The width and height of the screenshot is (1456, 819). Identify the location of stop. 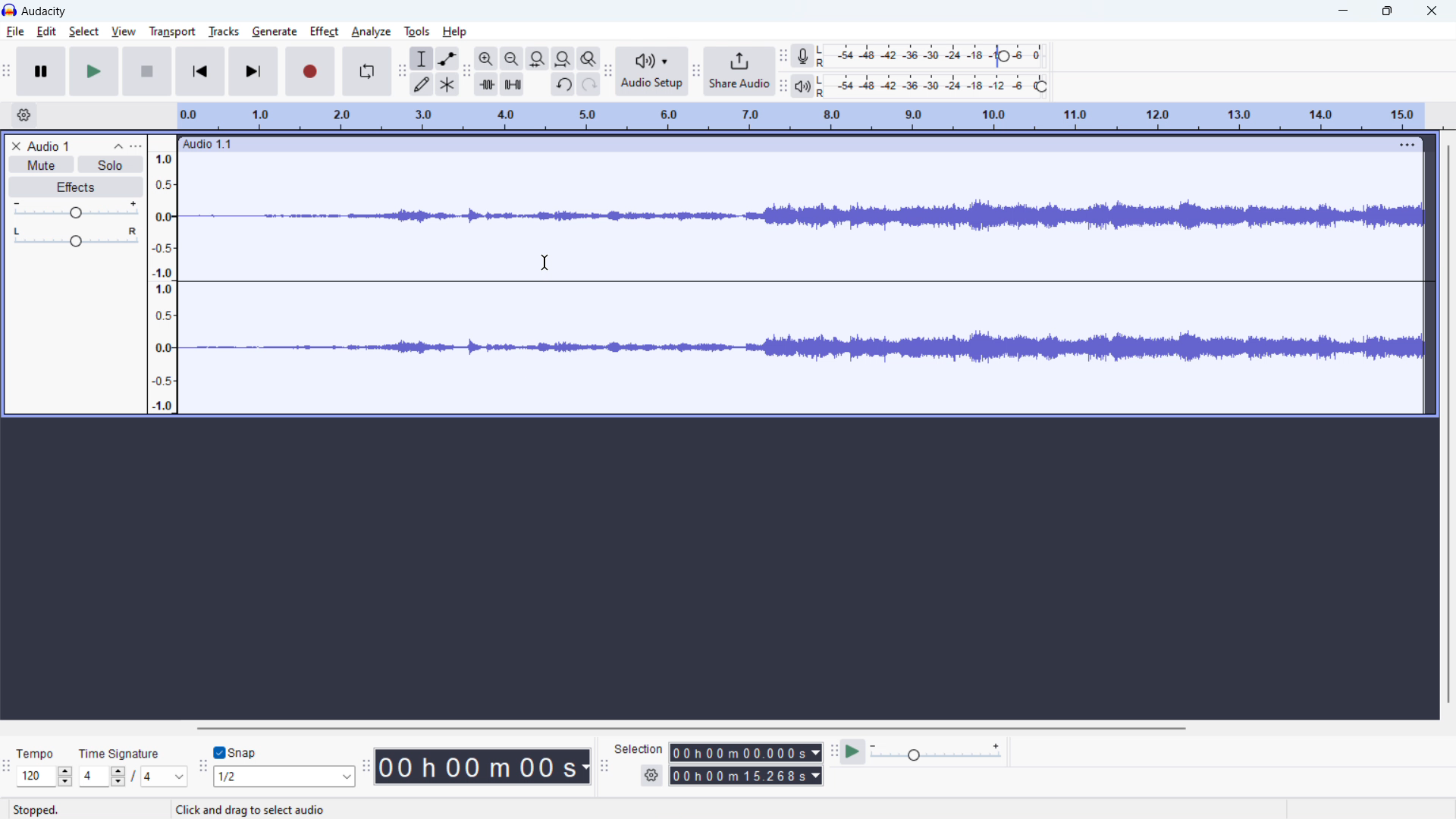
(147, 71).